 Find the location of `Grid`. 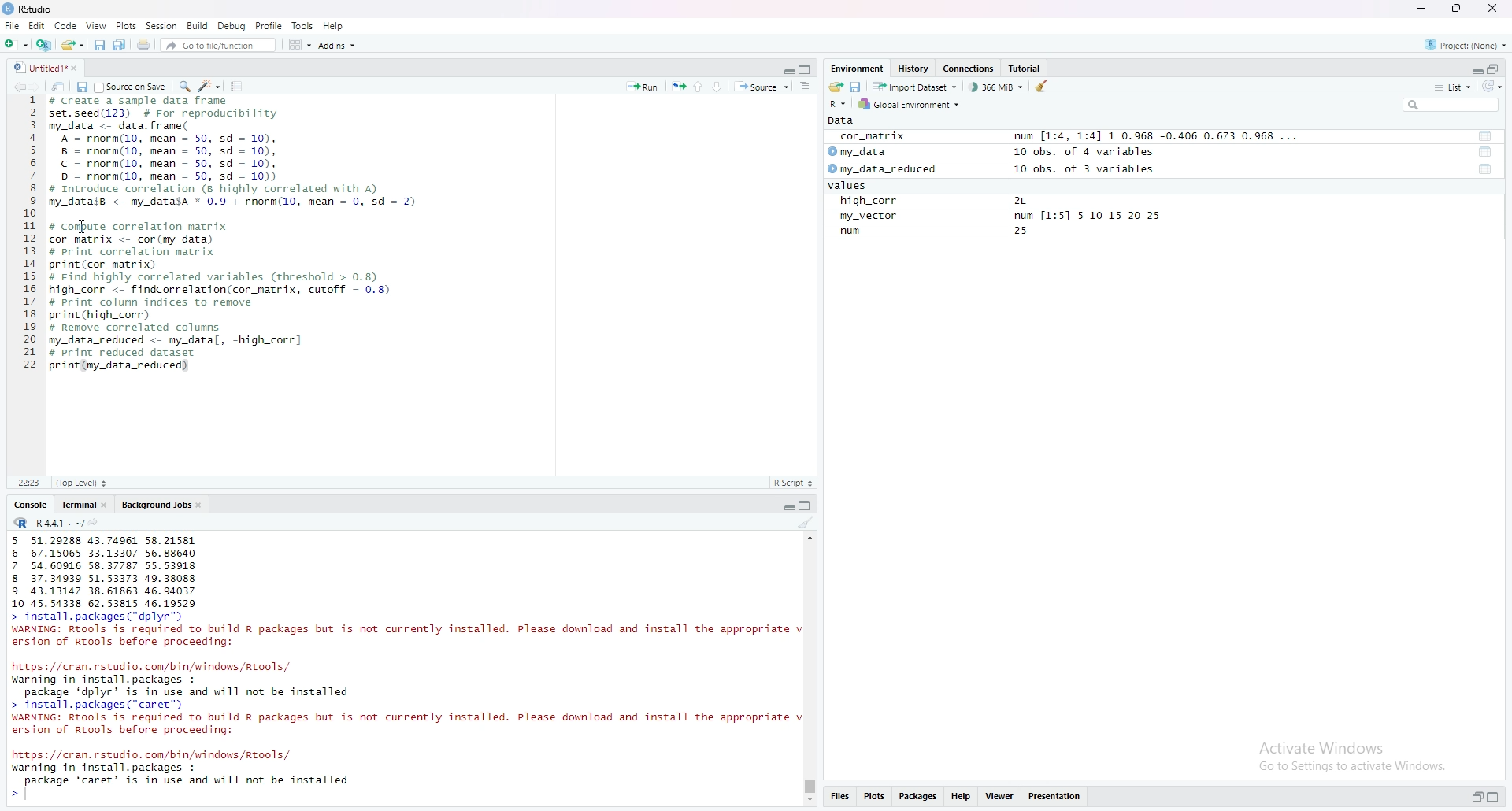

Grid is located at coordinates (302, 46).